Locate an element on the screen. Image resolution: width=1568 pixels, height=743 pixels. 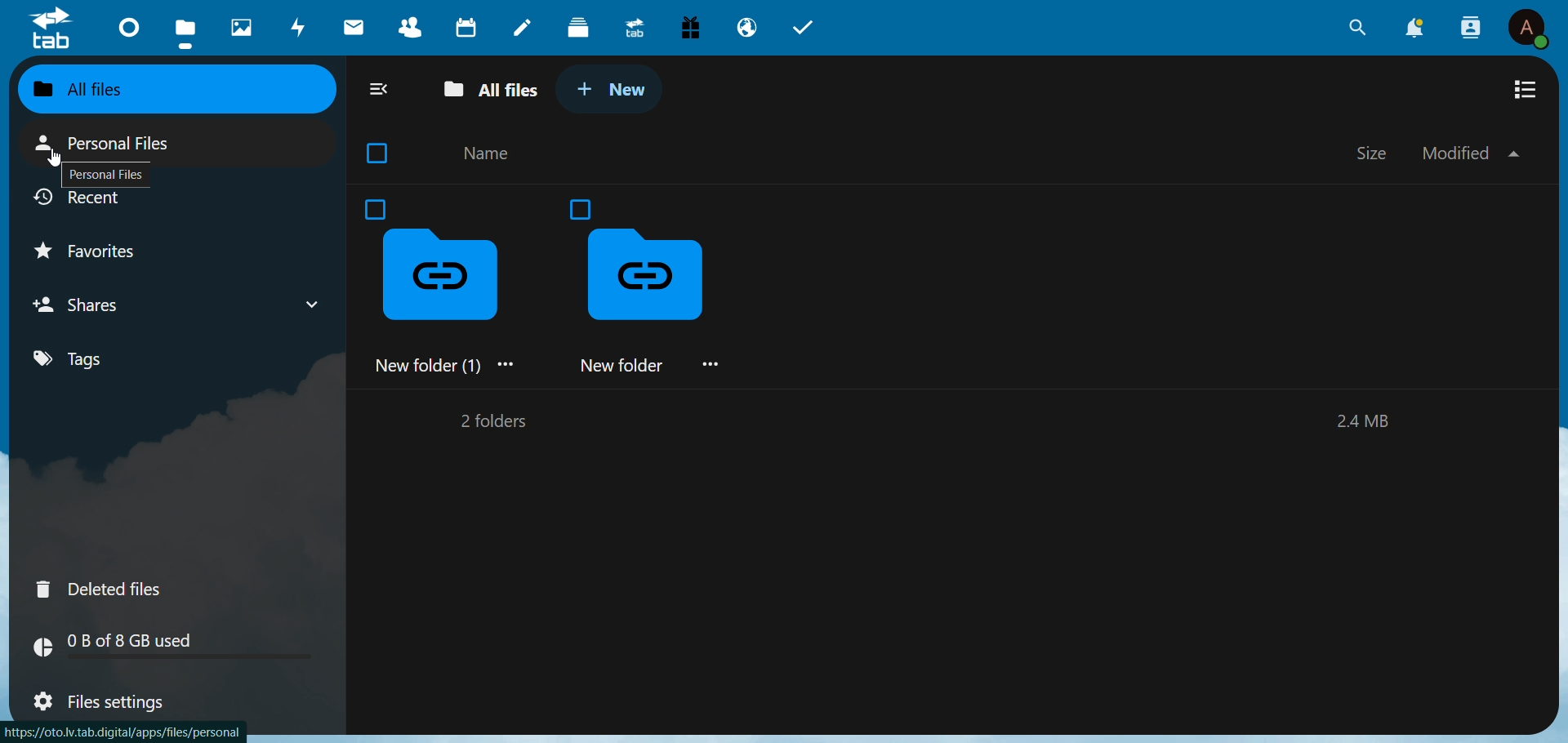
logo is located at coordinates (53, 29).